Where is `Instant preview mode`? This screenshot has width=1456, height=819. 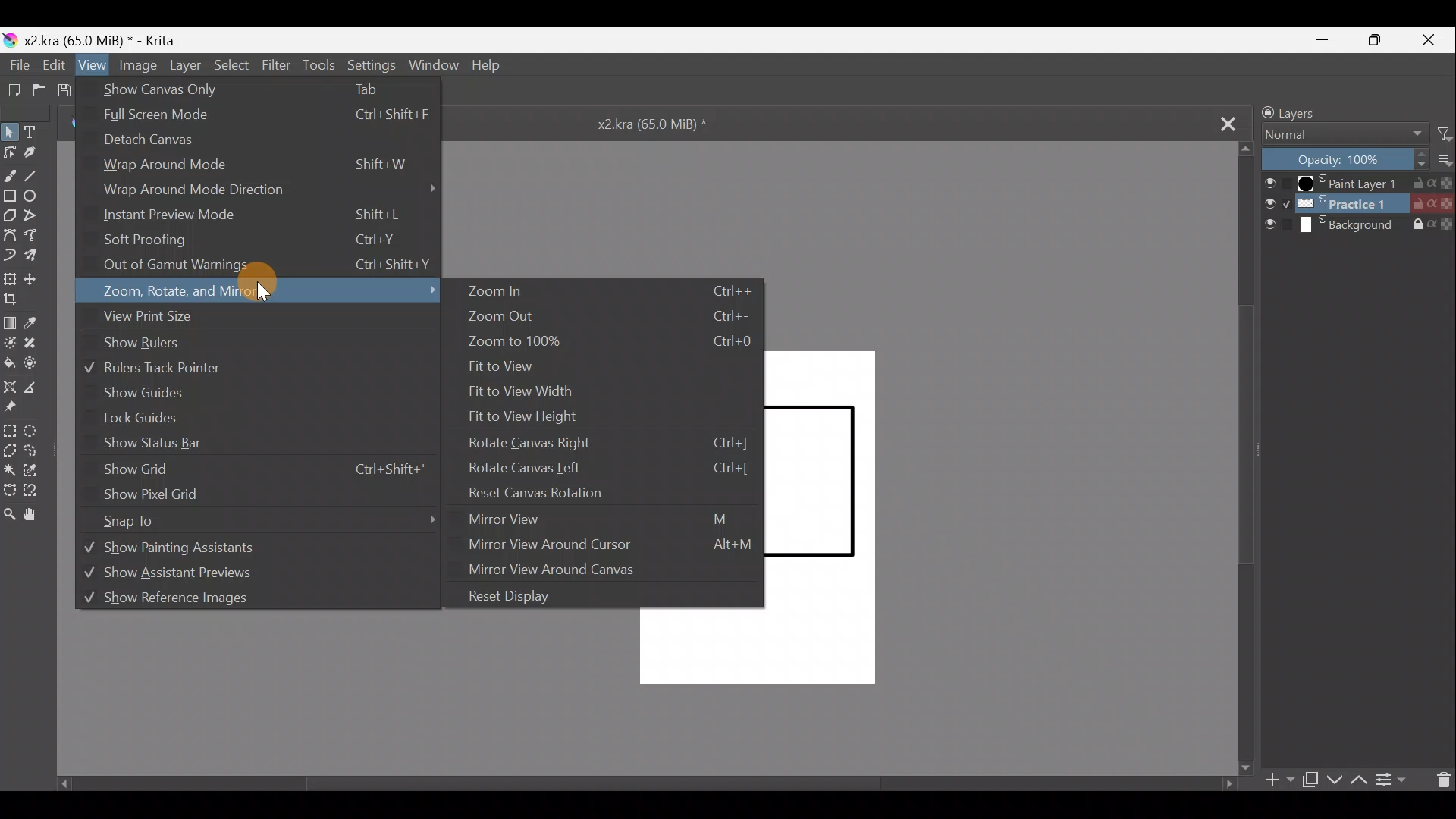 Instant preview mode is located at coordinates (252, 216).